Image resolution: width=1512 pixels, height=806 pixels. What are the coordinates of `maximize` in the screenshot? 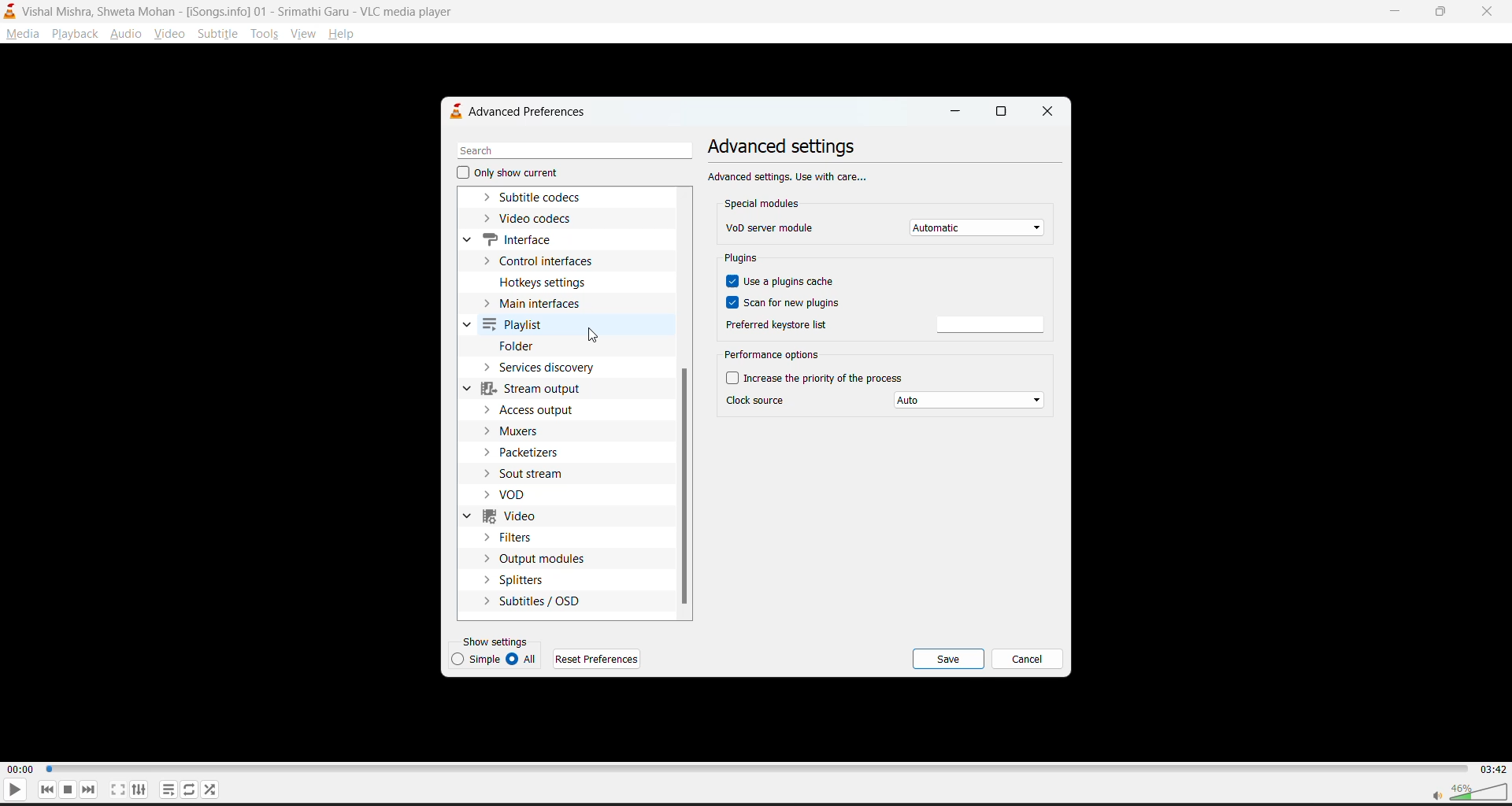 It's located at (1444, 12).